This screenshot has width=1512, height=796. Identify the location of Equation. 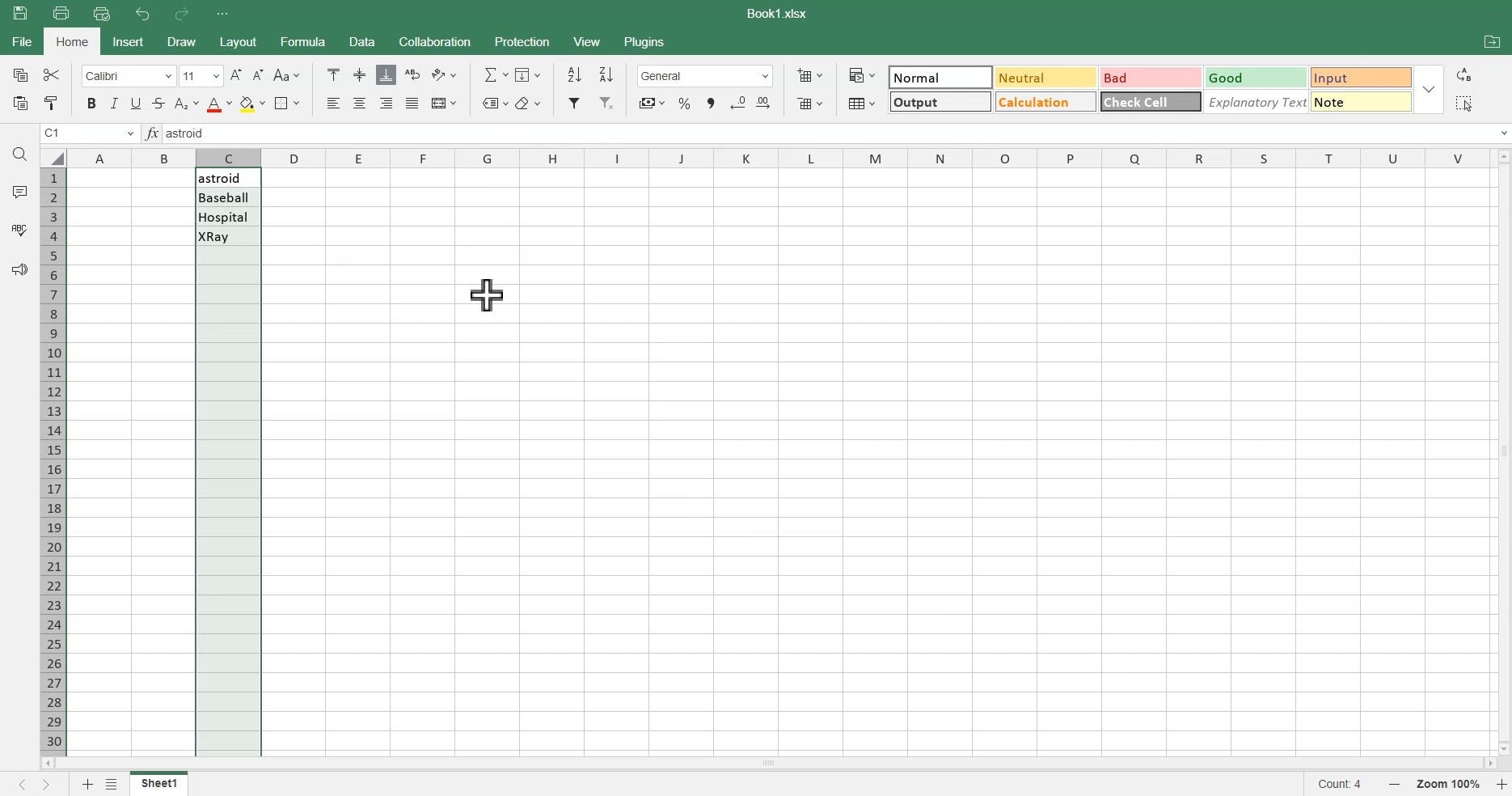
(495, 74).